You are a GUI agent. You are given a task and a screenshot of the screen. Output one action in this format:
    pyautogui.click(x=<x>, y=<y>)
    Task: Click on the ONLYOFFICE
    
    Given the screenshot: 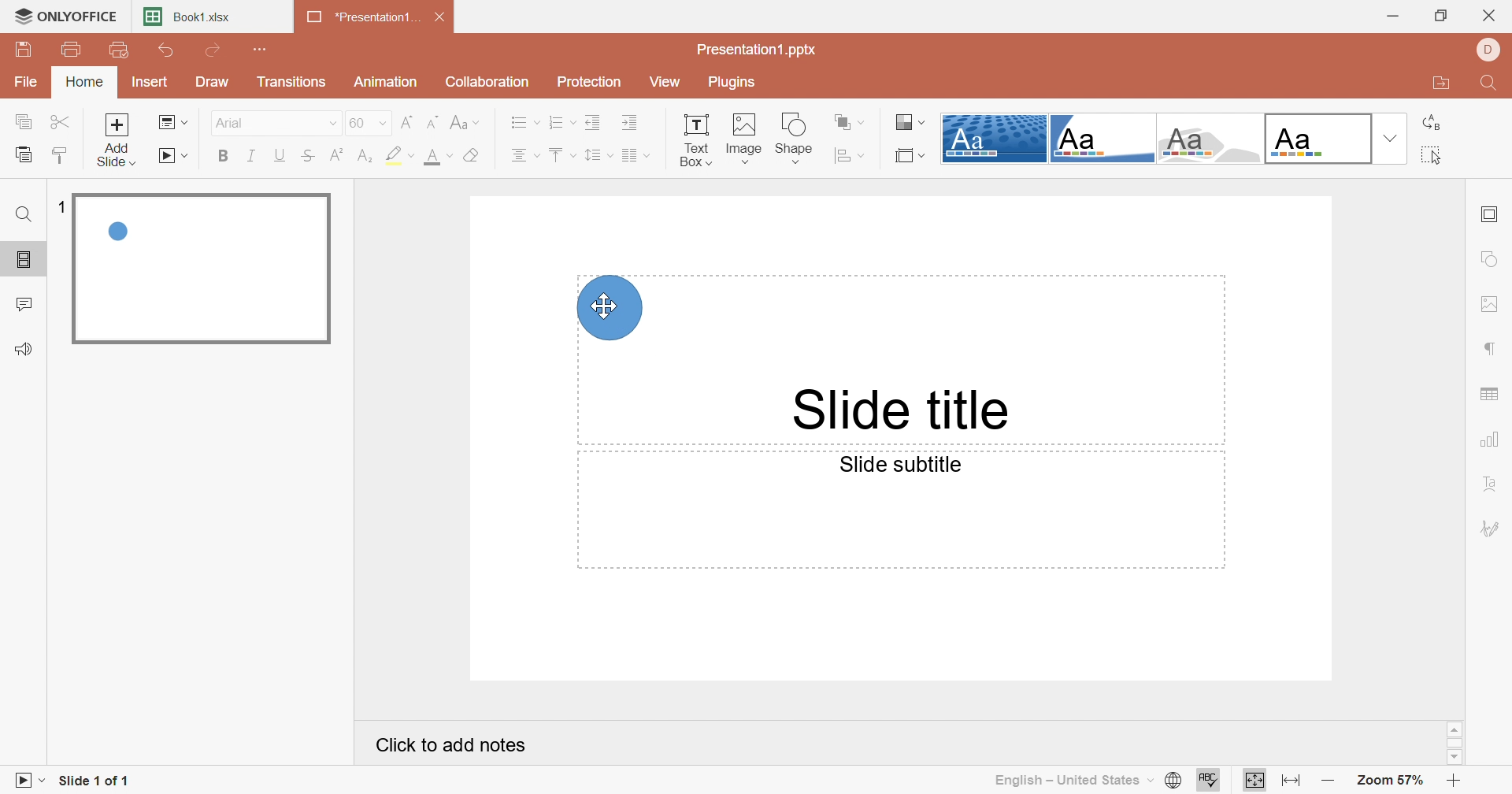 What is the action you would take?
    pyautogui.click(x=65, y=13)
    